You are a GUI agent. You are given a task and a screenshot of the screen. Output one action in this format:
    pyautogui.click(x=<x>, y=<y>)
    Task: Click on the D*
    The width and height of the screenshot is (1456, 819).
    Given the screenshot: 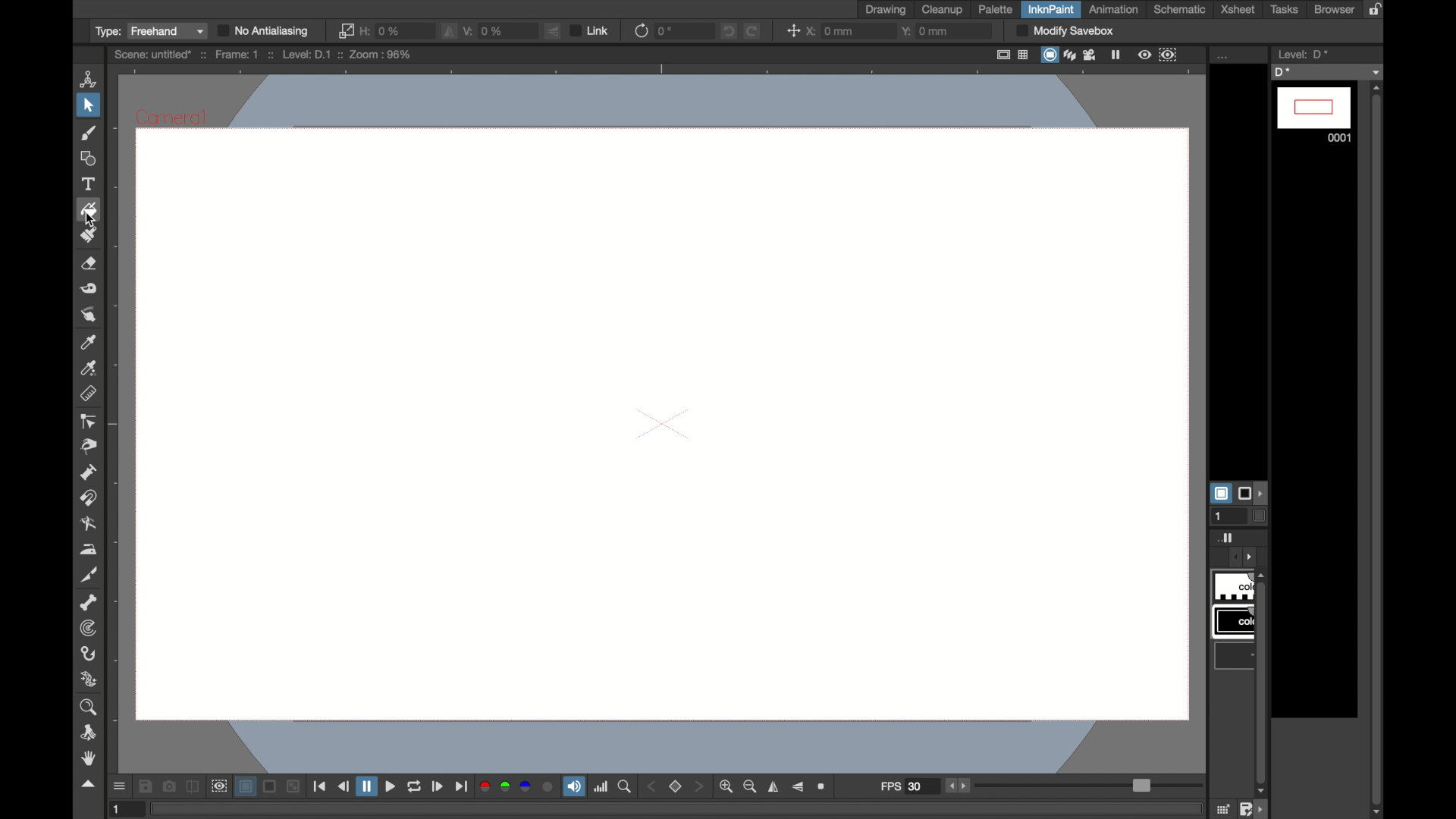 What is the action you would take?
    pyautogui.click(x=1328, y=72)
    